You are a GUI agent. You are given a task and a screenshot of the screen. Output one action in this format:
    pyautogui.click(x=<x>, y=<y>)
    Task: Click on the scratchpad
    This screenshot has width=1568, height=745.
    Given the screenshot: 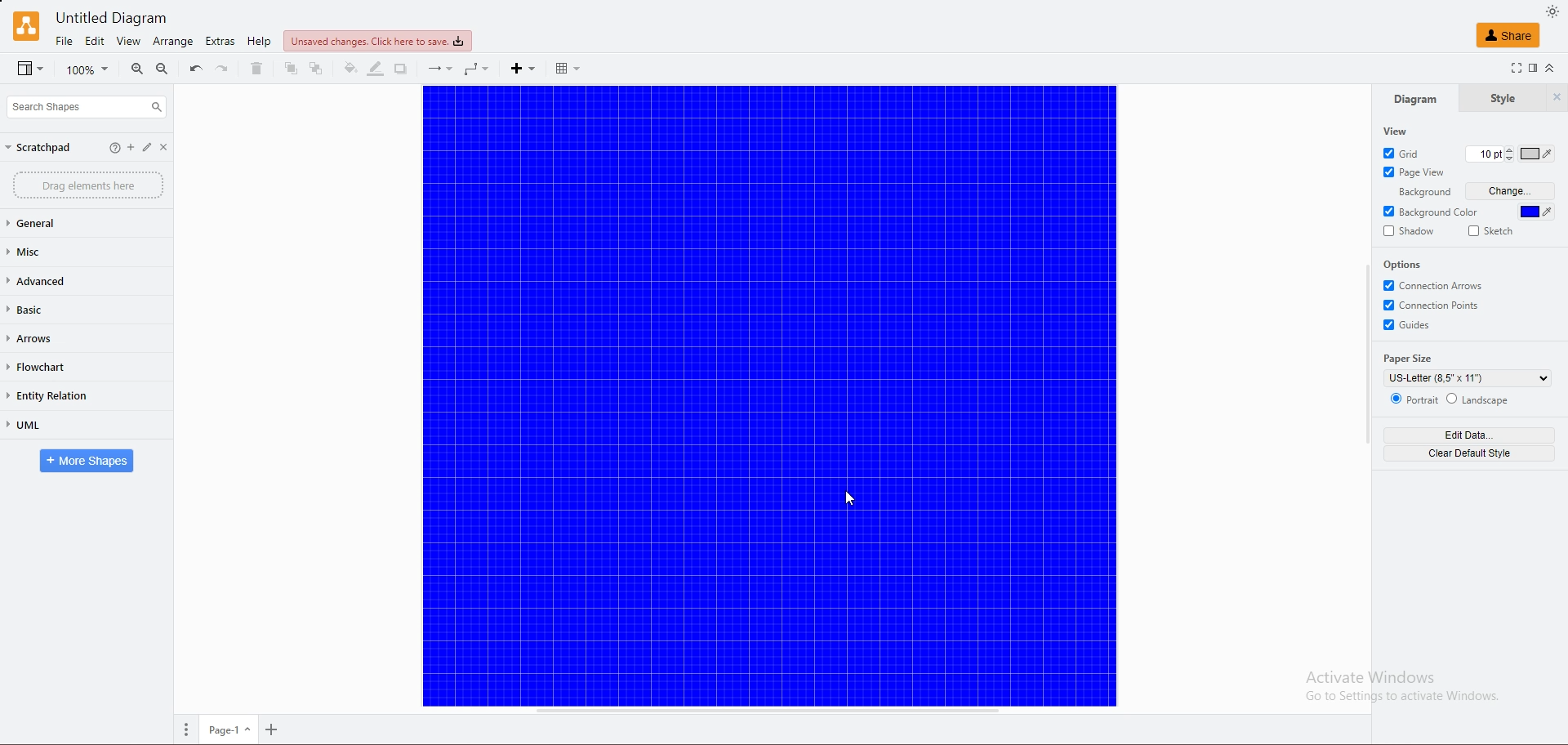 What is the action you would take?
    pyautogui.click(x=39, y=147)
    